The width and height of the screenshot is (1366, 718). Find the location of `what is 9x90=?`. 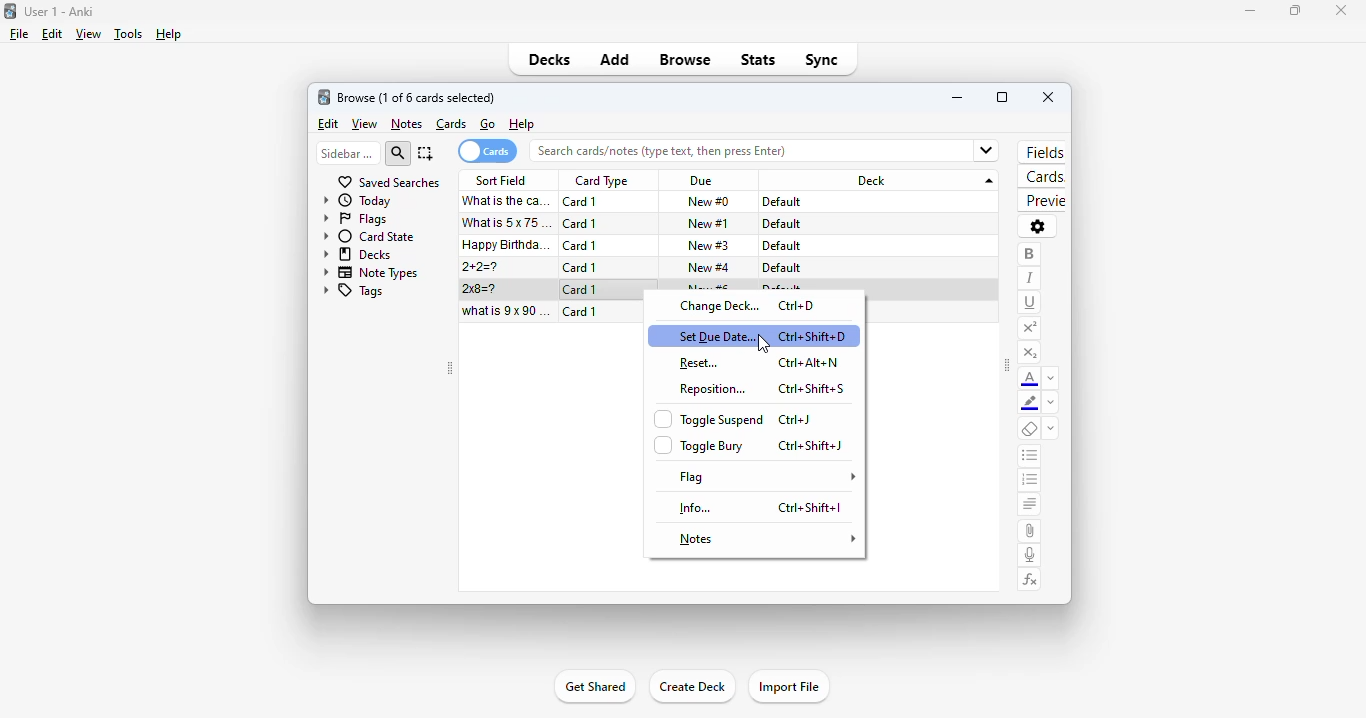

what is 9x90=? is located at coordinates (507, 311).